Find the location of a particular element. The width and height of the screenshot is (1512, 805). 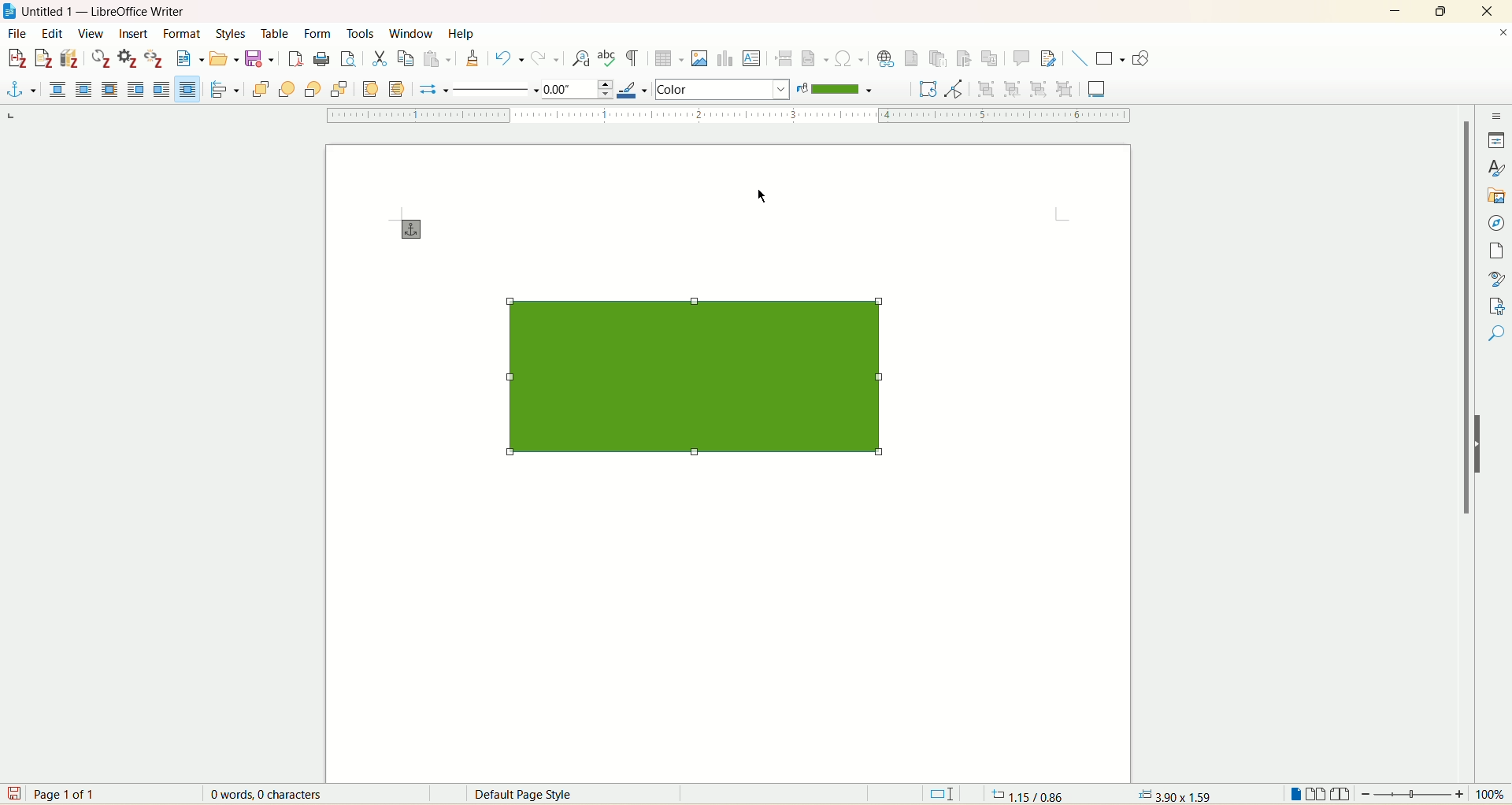

send to back is located at coordinates (337, 88).